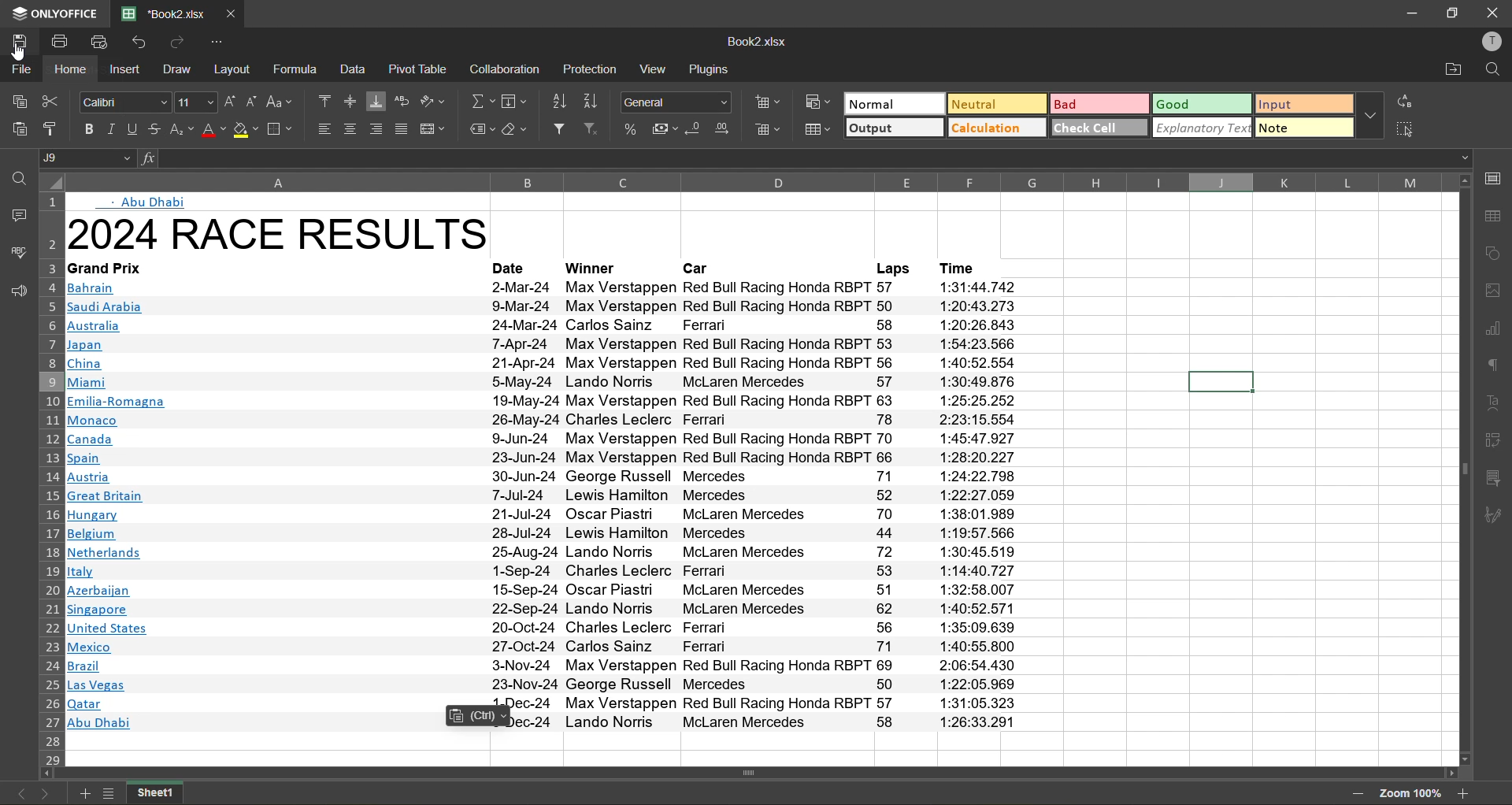 This screenshot has height=805, width=1512. Describe the element at coordinates (543, 459) in the screenshot. I see `text info` at that location.